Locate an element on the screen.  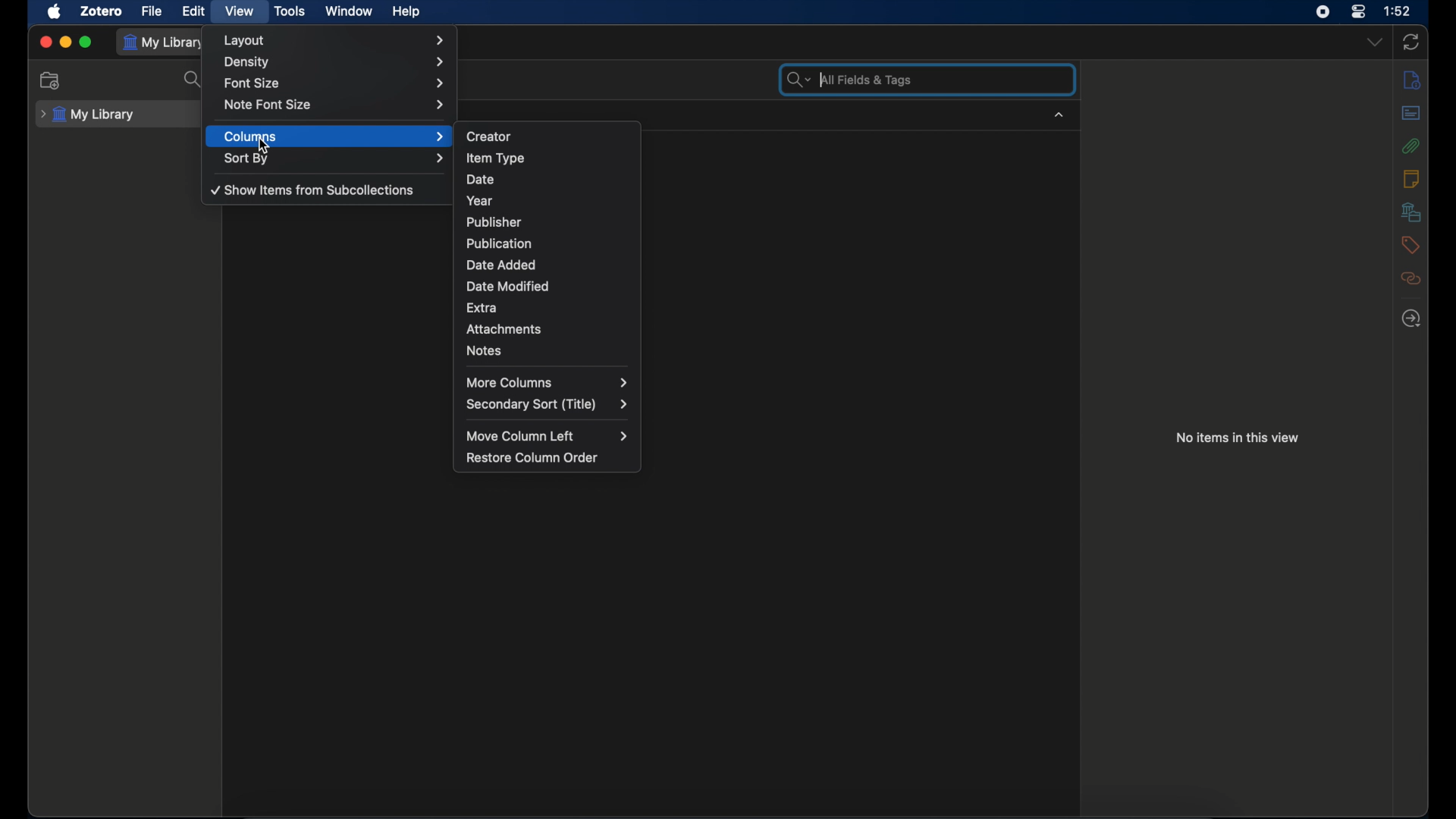
publication is located at coordinates (497, 243).